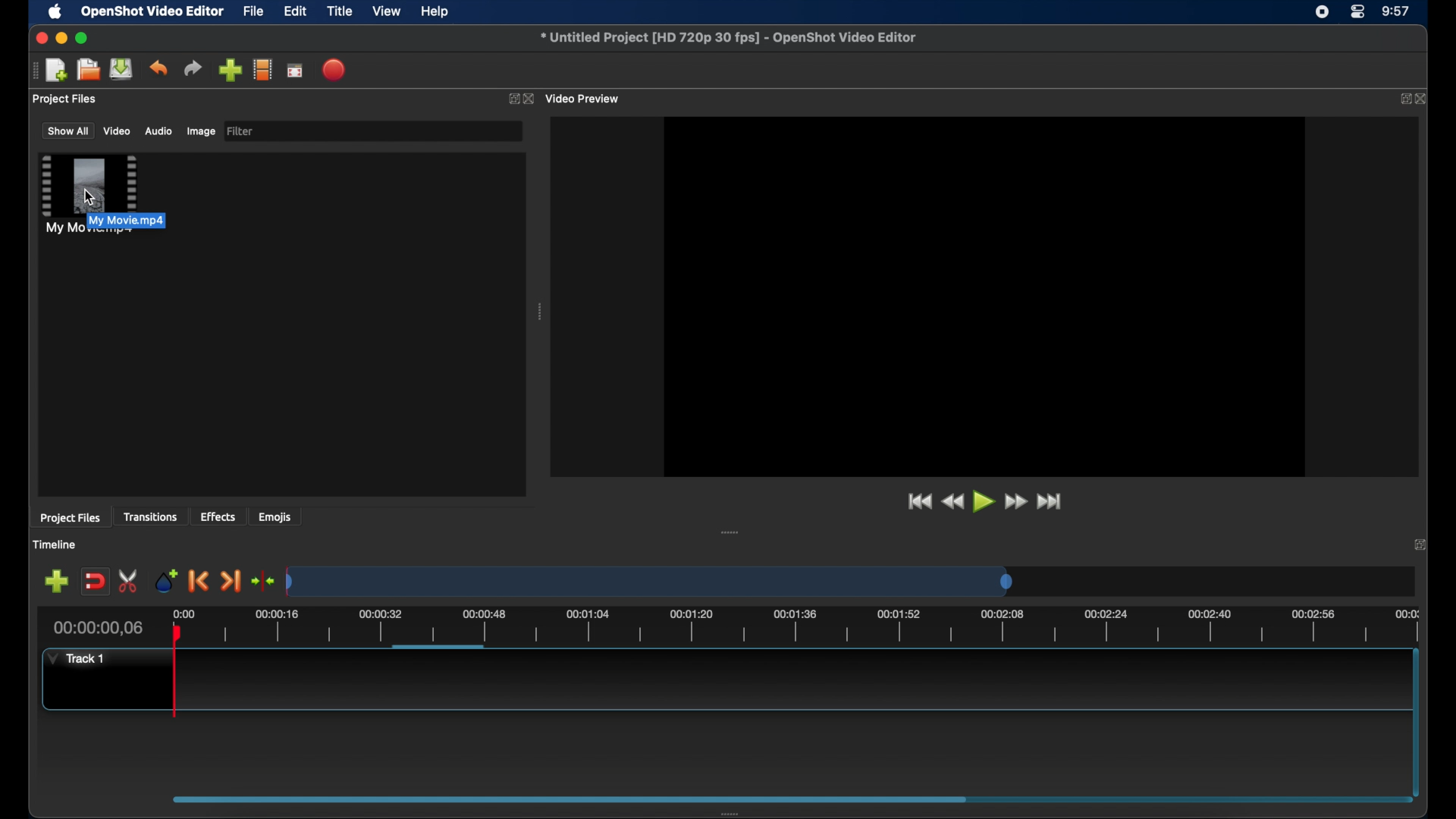 The image size is (1456, 819). Describe the element at coordinates (584, 99) in the screenshot. I see `video preview` at that location.